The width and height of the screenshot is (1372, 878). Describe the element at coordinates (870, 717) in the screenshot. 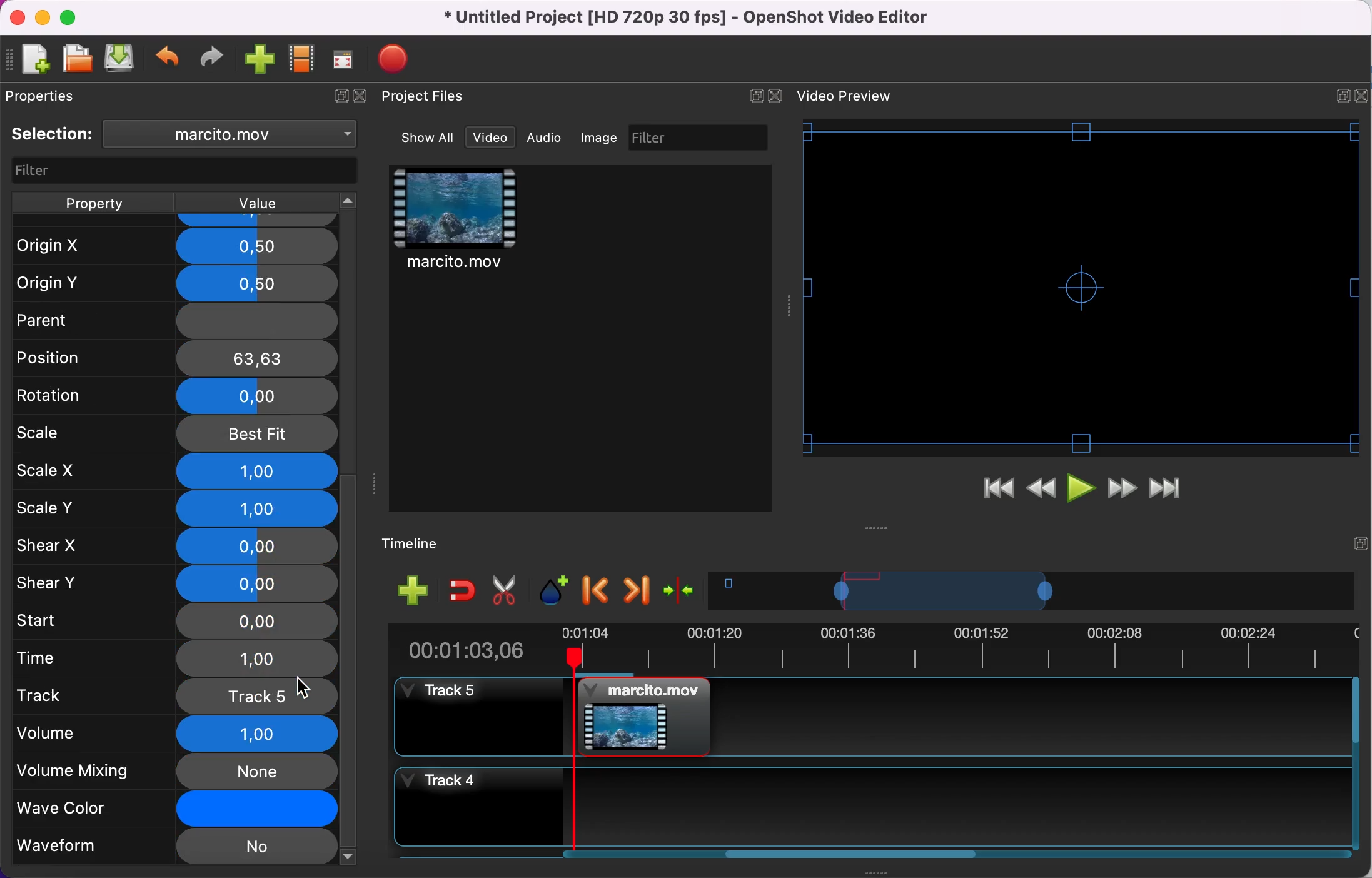

I see `track 5` at that location.